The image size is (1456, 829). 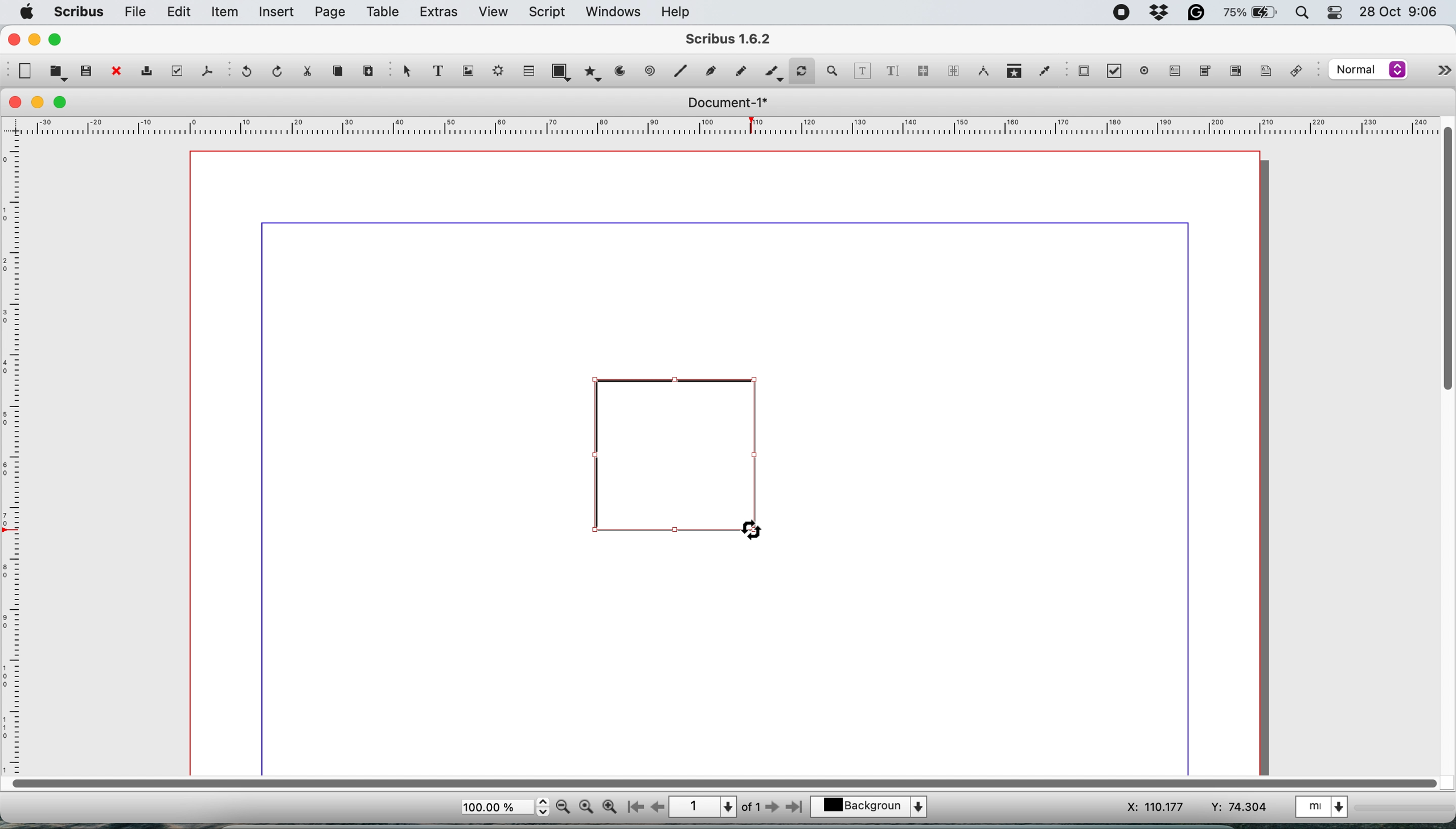 I want to click on vertical scale, so click(x=15, y=453).